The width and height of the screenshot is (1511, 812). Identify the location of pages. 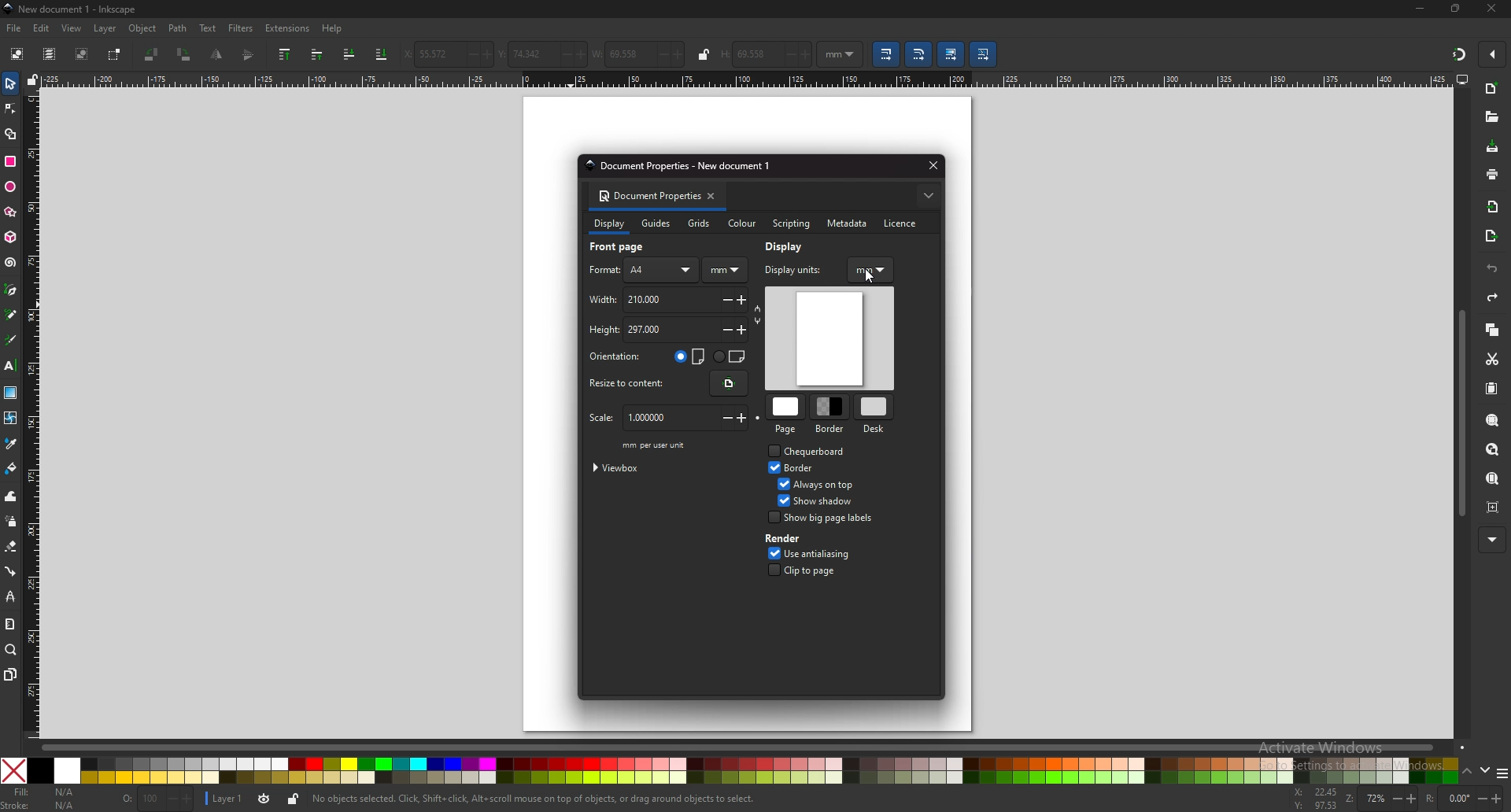
(10, 674).